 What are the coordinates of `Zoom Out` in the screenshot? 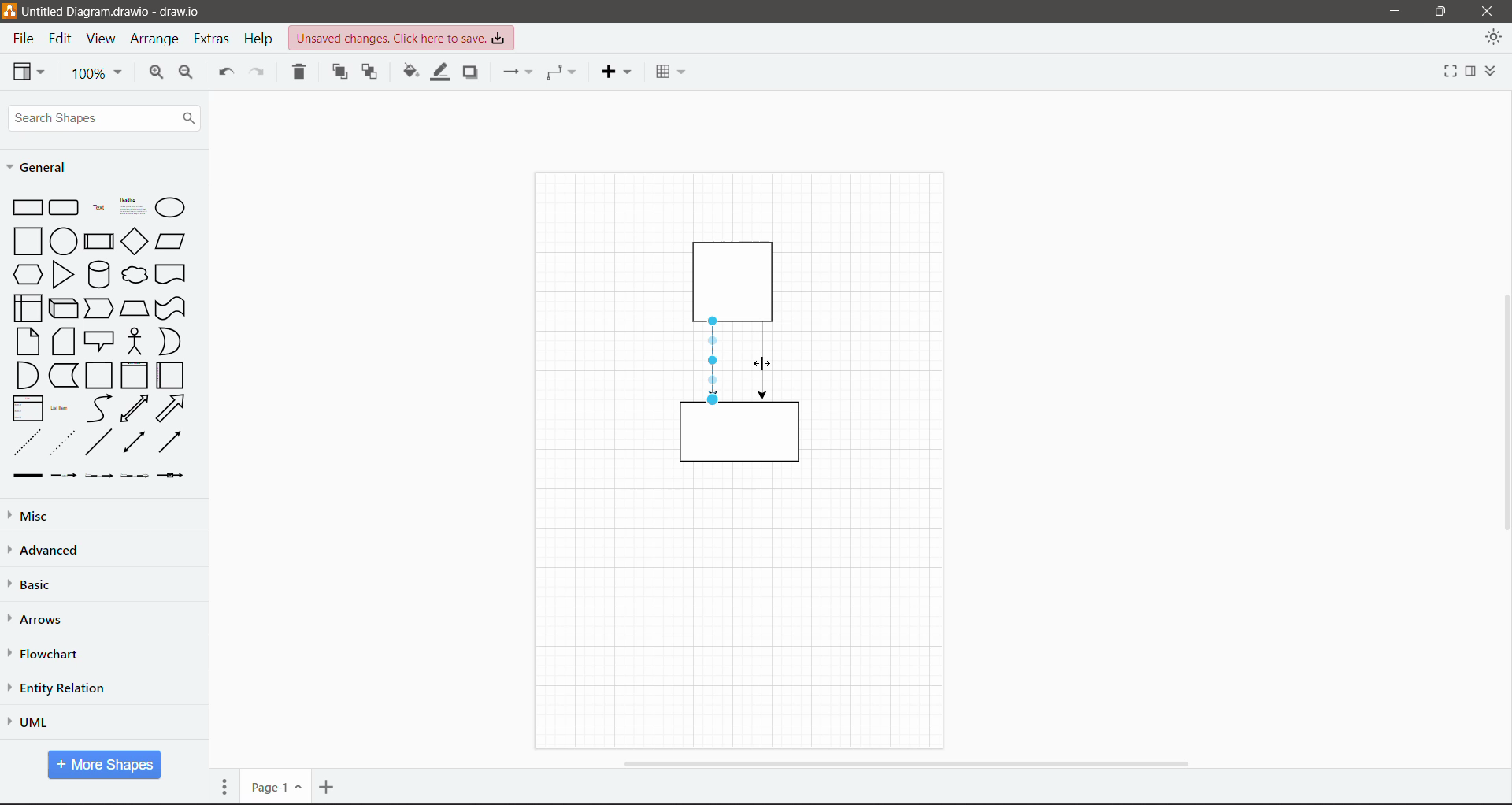 It's located at (187, 75).